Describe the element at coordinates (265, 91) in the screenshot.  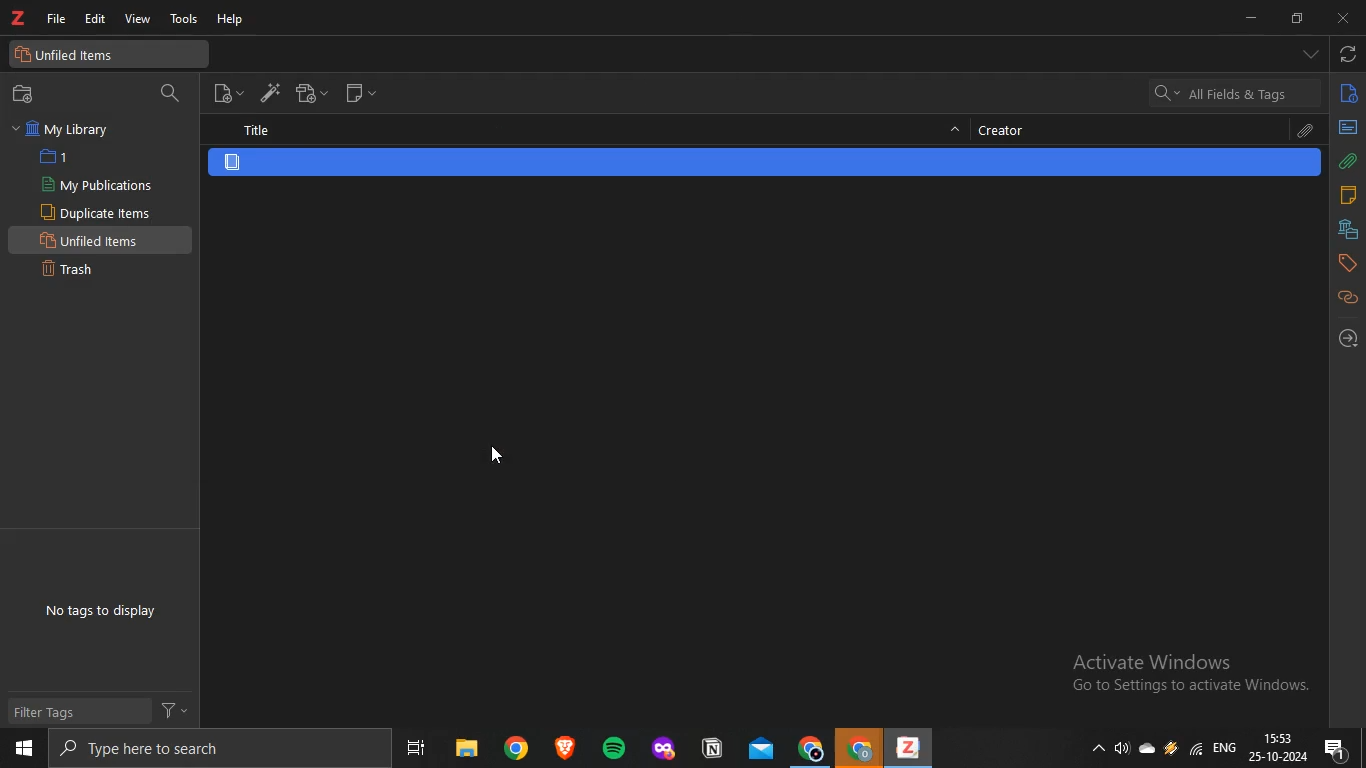
I see `add item by identifier` at that location.